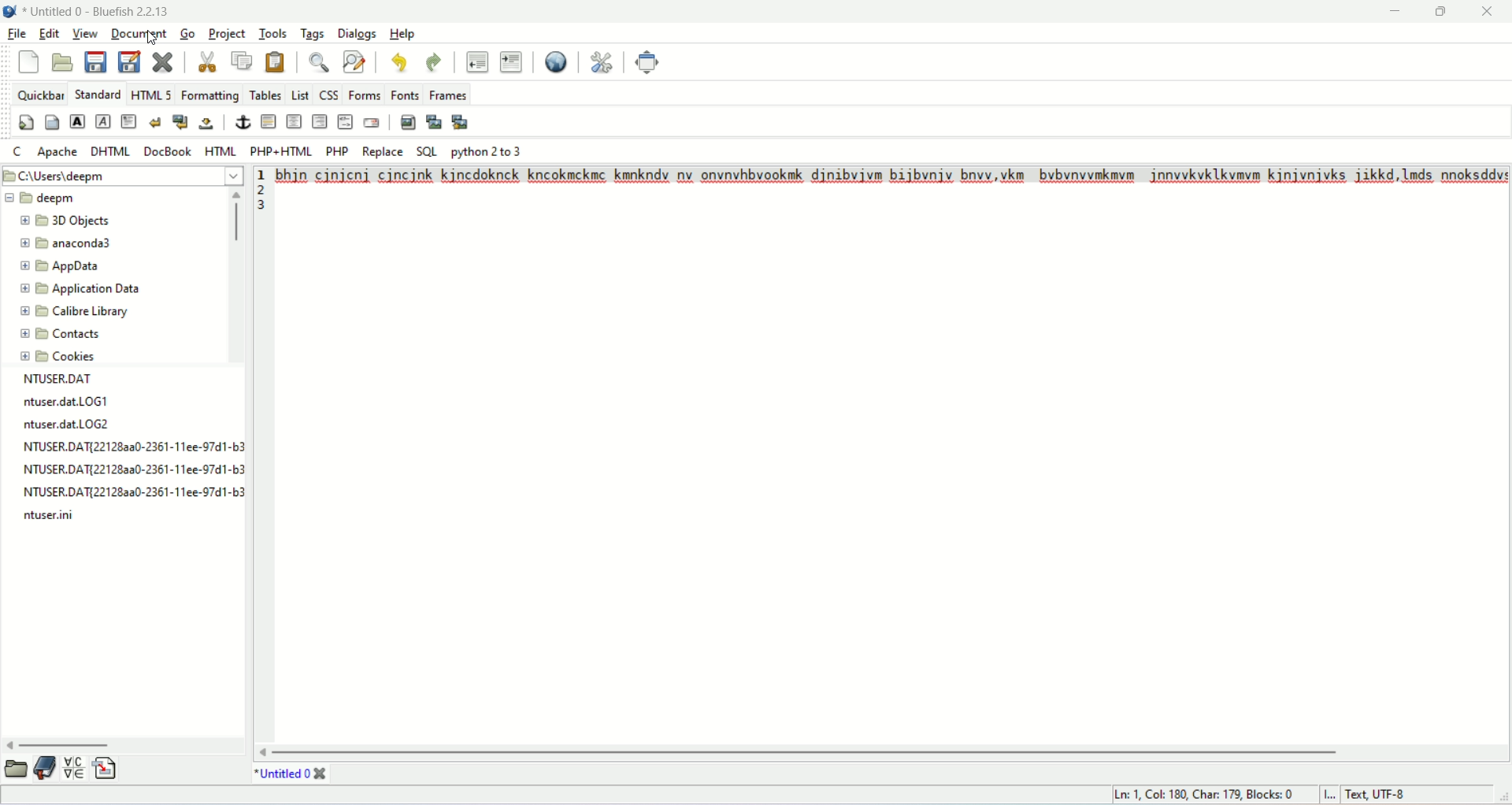  What do you see at coordinates (398, 63) in the screenshot?
I see `undo` at bounding box center [398, 63].